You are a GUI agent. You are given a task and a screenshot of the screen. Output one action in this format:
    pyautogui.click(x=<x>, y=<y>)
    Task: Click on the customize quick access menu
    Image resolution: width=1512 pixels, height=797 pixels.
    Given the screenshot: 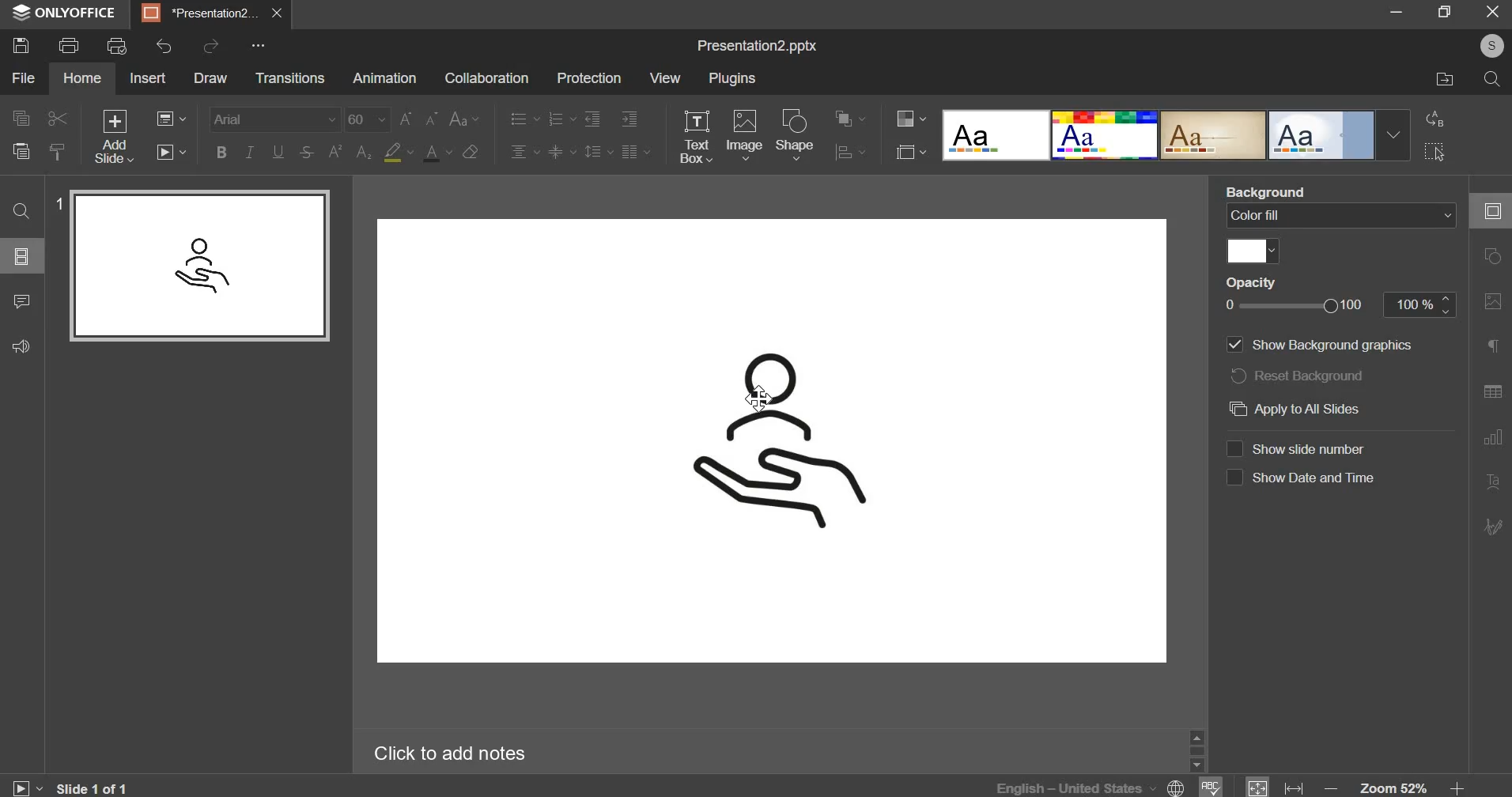 What is the action you would take?
    pyautogui.click(x=256, y=46)
    